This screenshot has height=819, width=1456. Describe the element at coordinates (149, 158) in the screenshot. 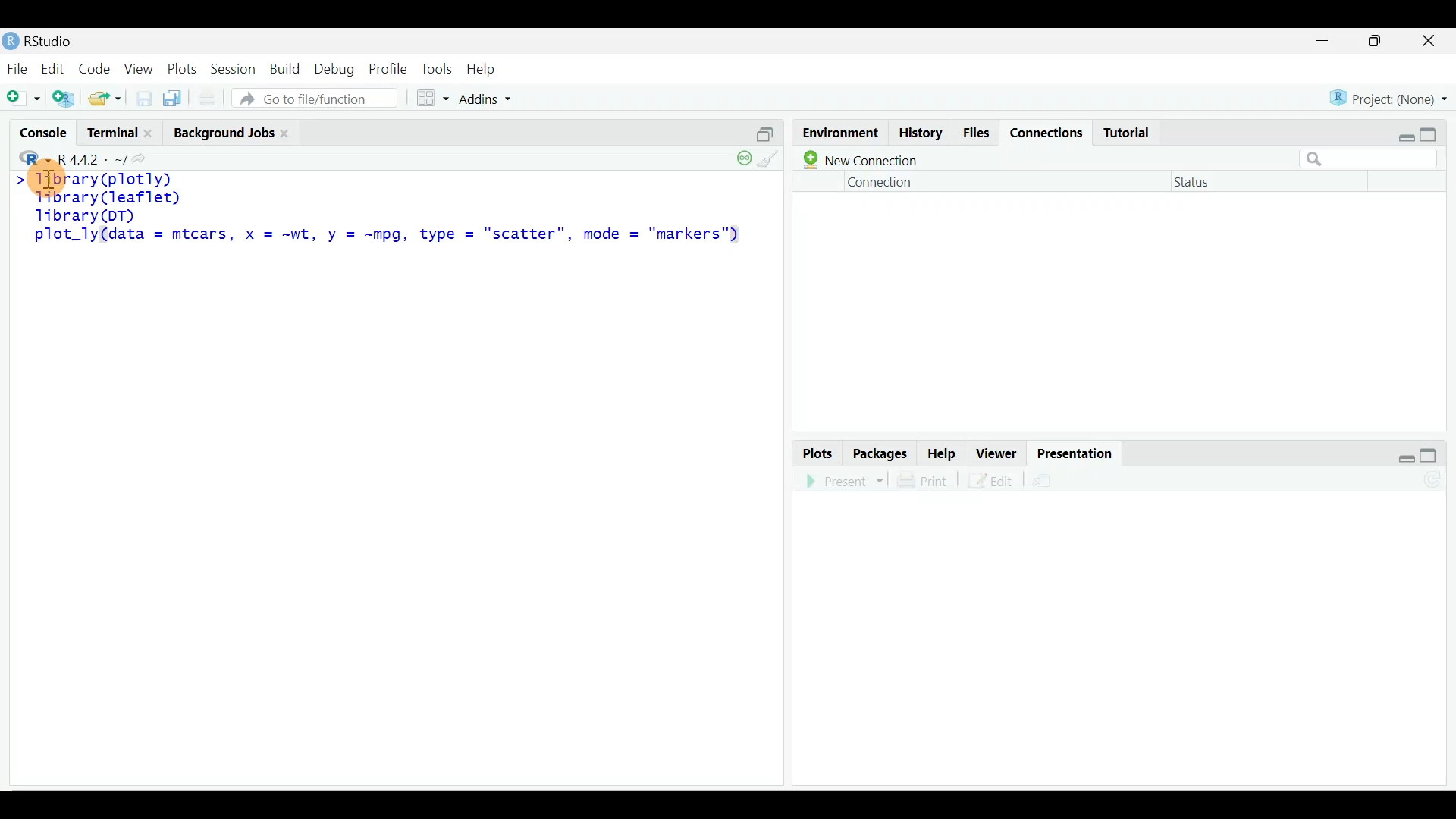

I see `View the current working directory` at that location.